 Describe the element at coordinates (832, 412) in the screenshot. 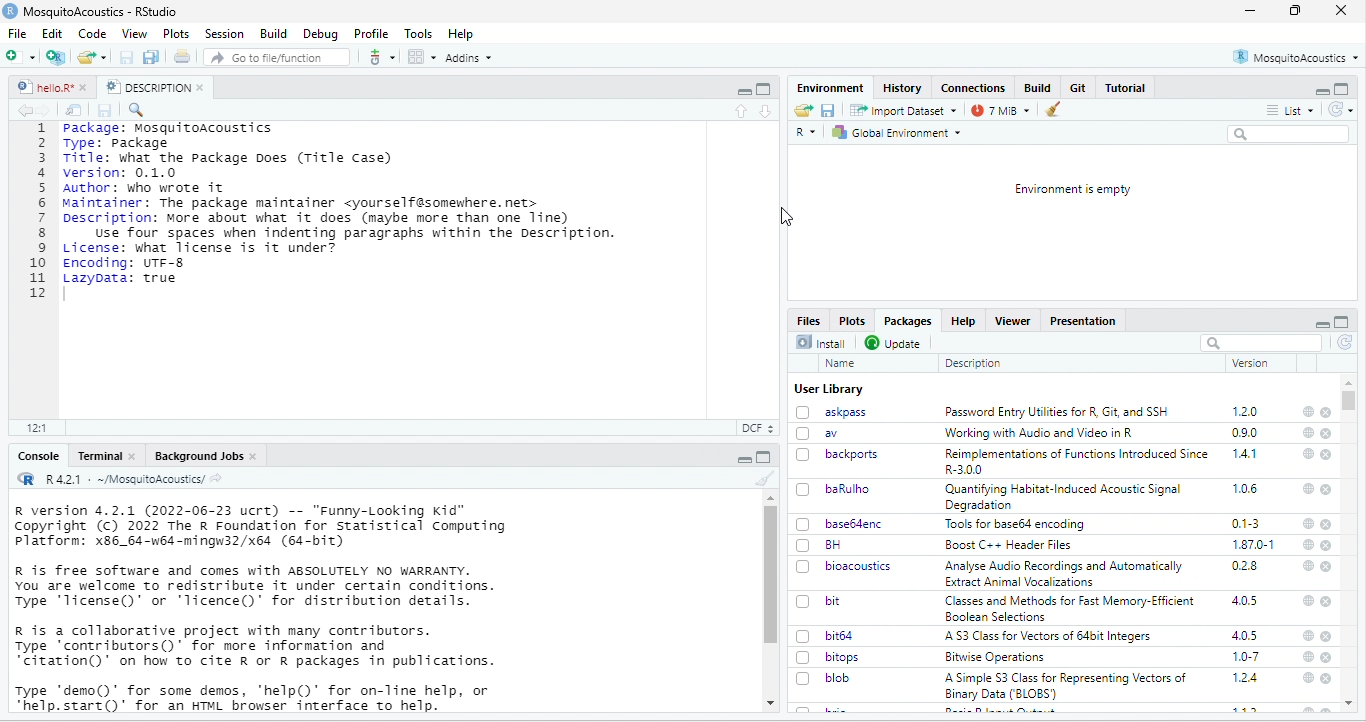

I see `askpass` at that location.